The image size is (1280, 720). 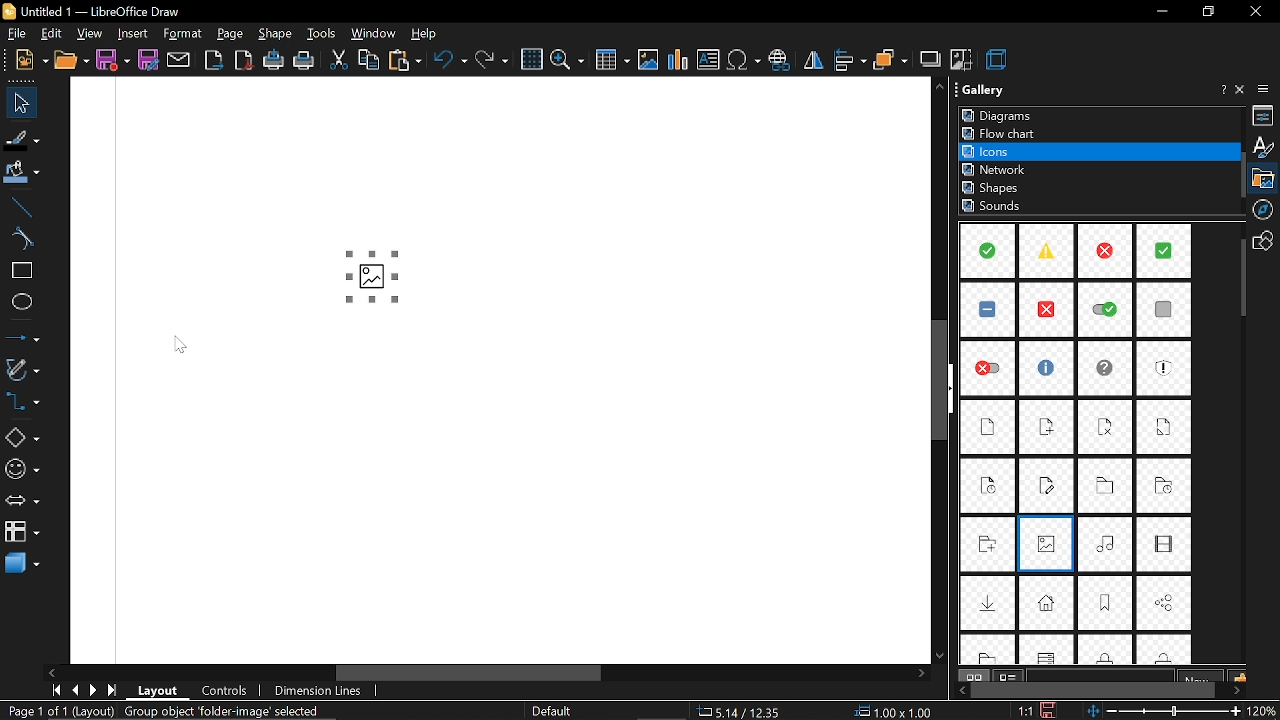 I want to click on controls, so click(x=222, y=692).